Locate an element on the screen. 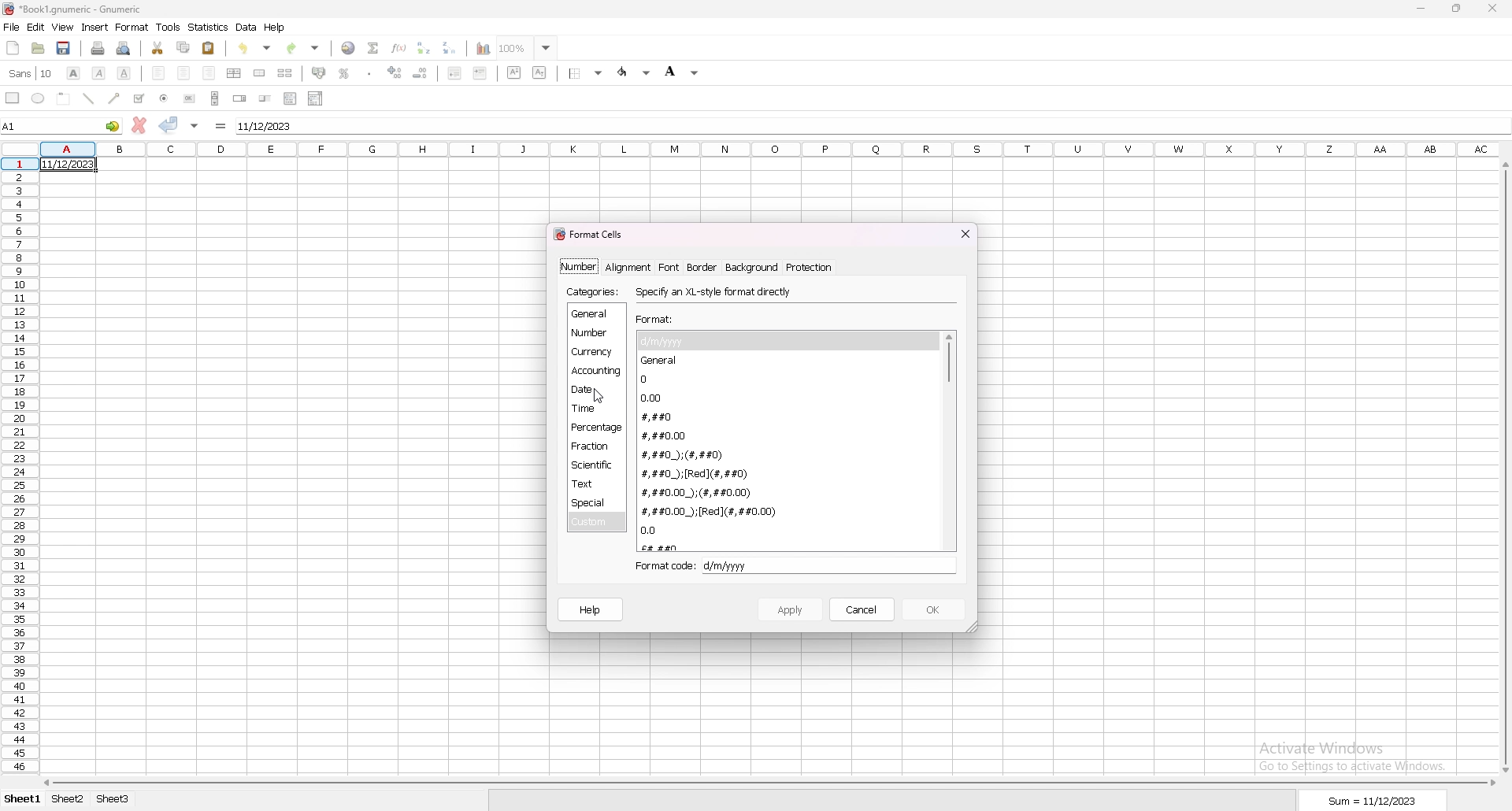  currency is located at coordinates (595, 353).